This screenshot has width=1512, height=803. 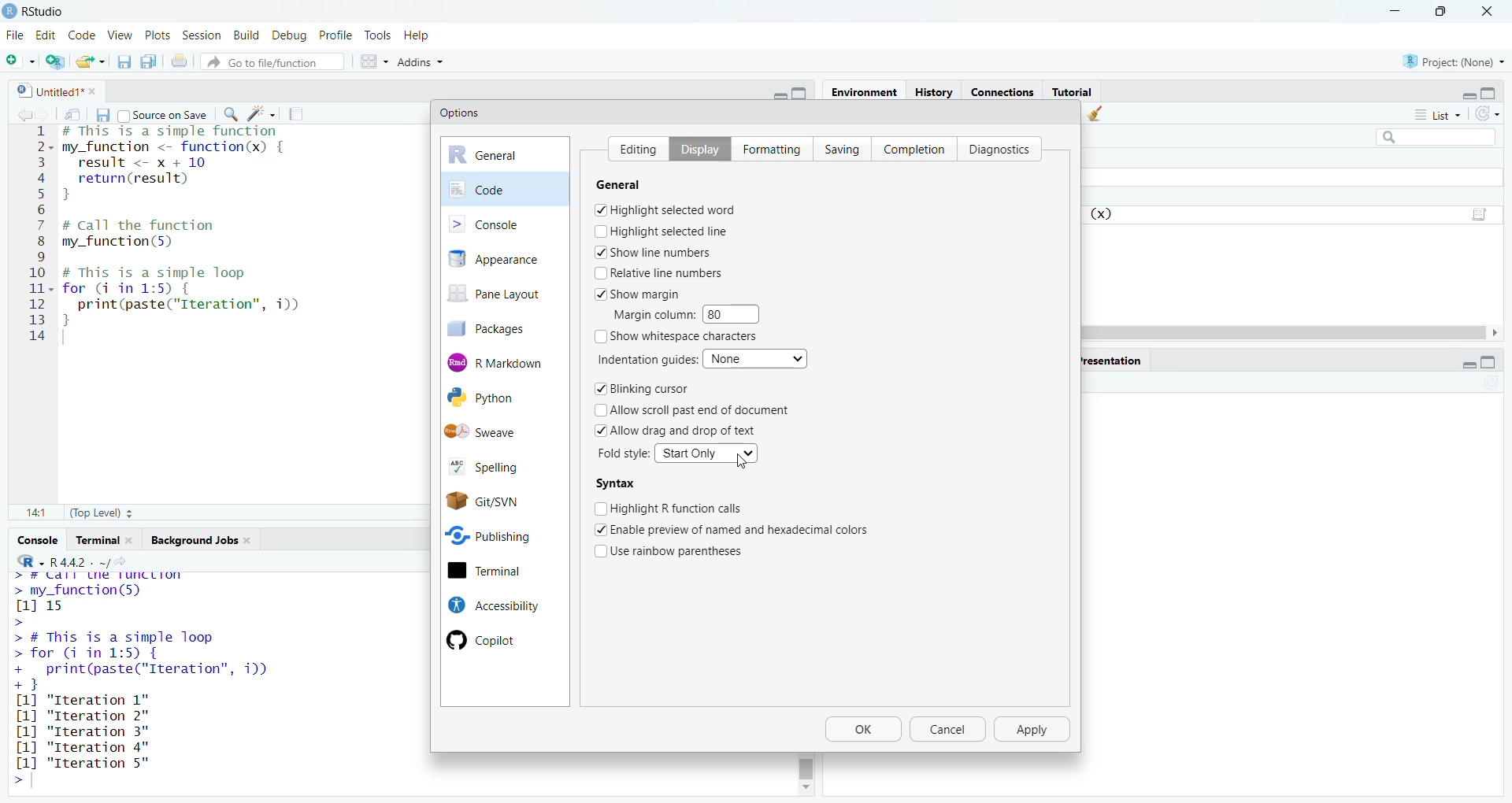 What do you see at coordinates (1394, 9) in the screenshot?
I see `minimize` at bounding box center [1394, 9].